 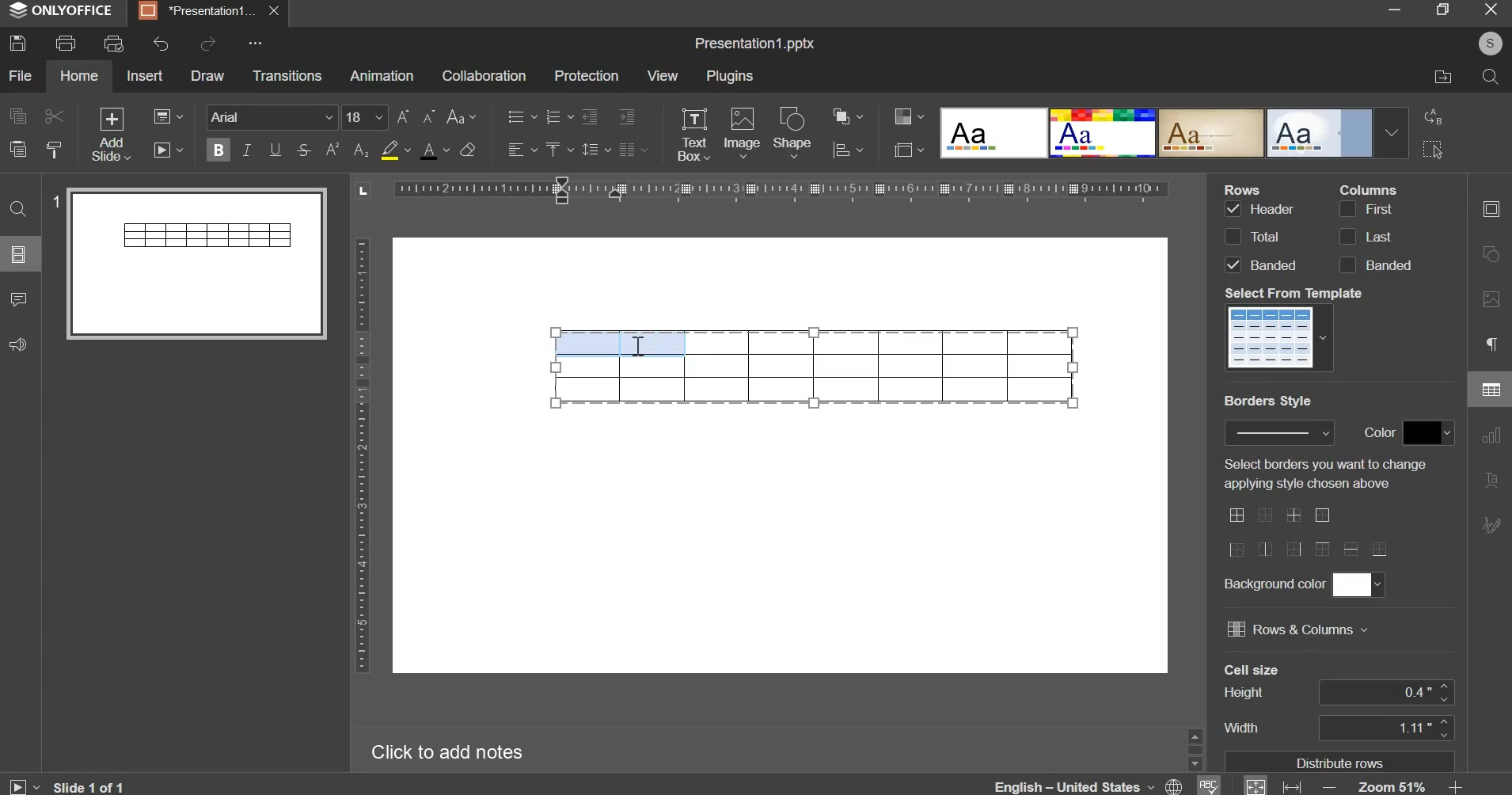 What do you see at coordinates (66, 43) in the screenshot?
I see `print` at bounding box center [66, 43].